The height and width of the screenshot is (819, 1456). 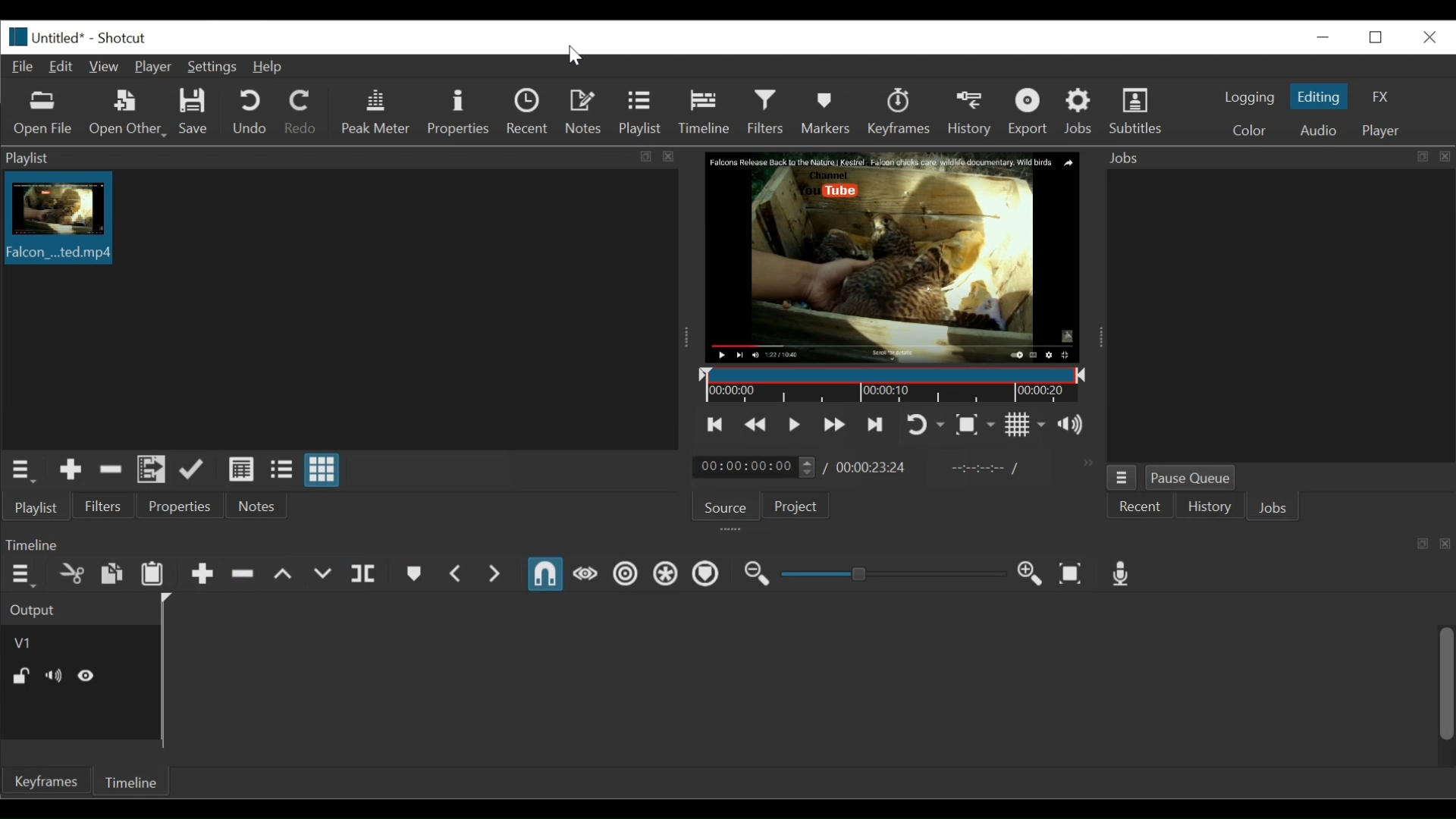 What do you see at coordinates (1075, 573) in the screenshot?
I see `Zoom timeline to fit` at bounding box center [1075, 573].